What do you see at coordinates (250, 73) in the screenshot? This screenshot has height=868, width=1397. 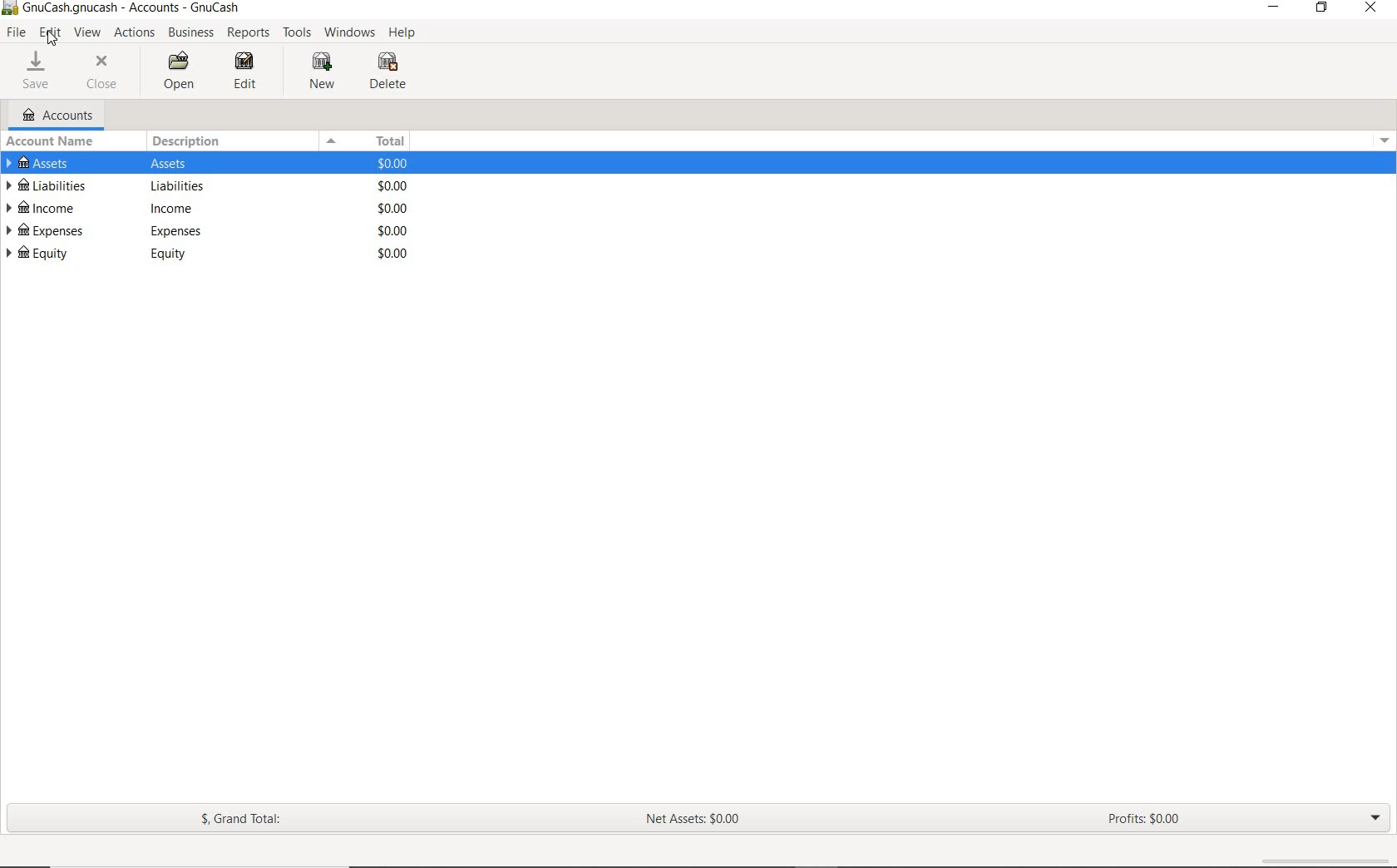 I see `EDIT` at bounding box center [250, 73].